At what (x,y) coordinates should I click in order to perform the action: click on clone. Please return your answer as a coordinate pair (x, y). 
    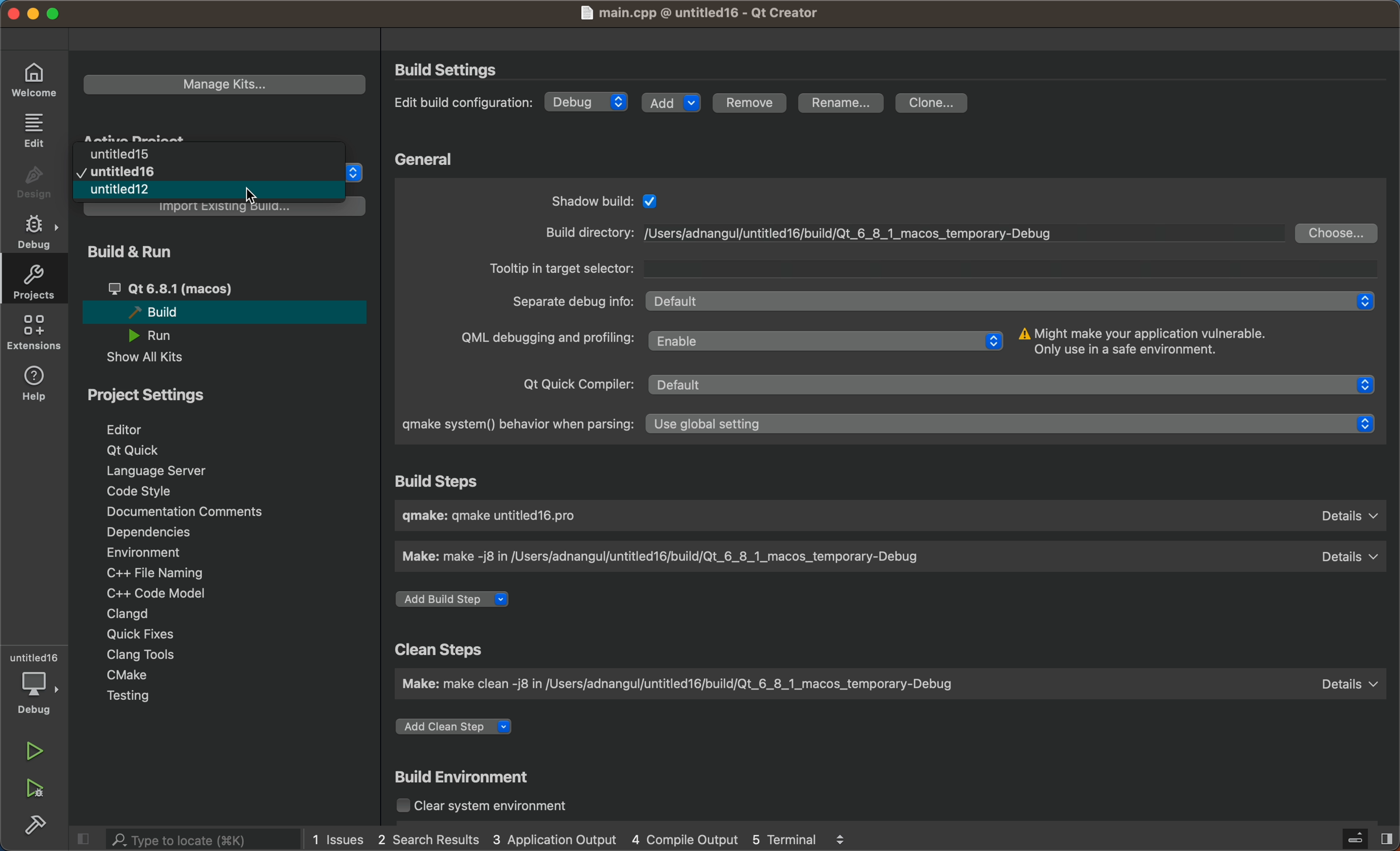
    Looking at the image, I should click on (934, 103).